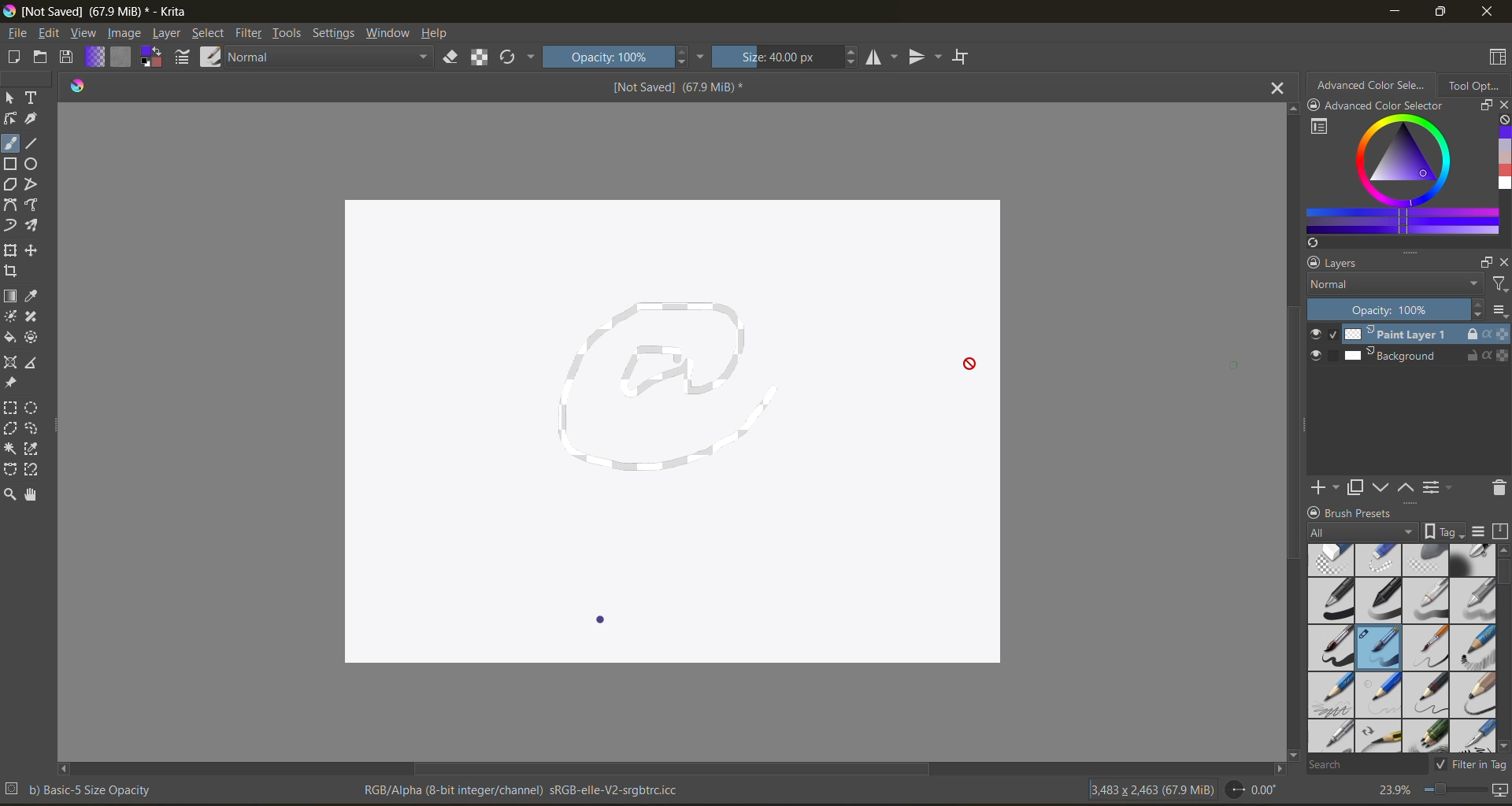  I want to click on black pen, so click(1331, 601).